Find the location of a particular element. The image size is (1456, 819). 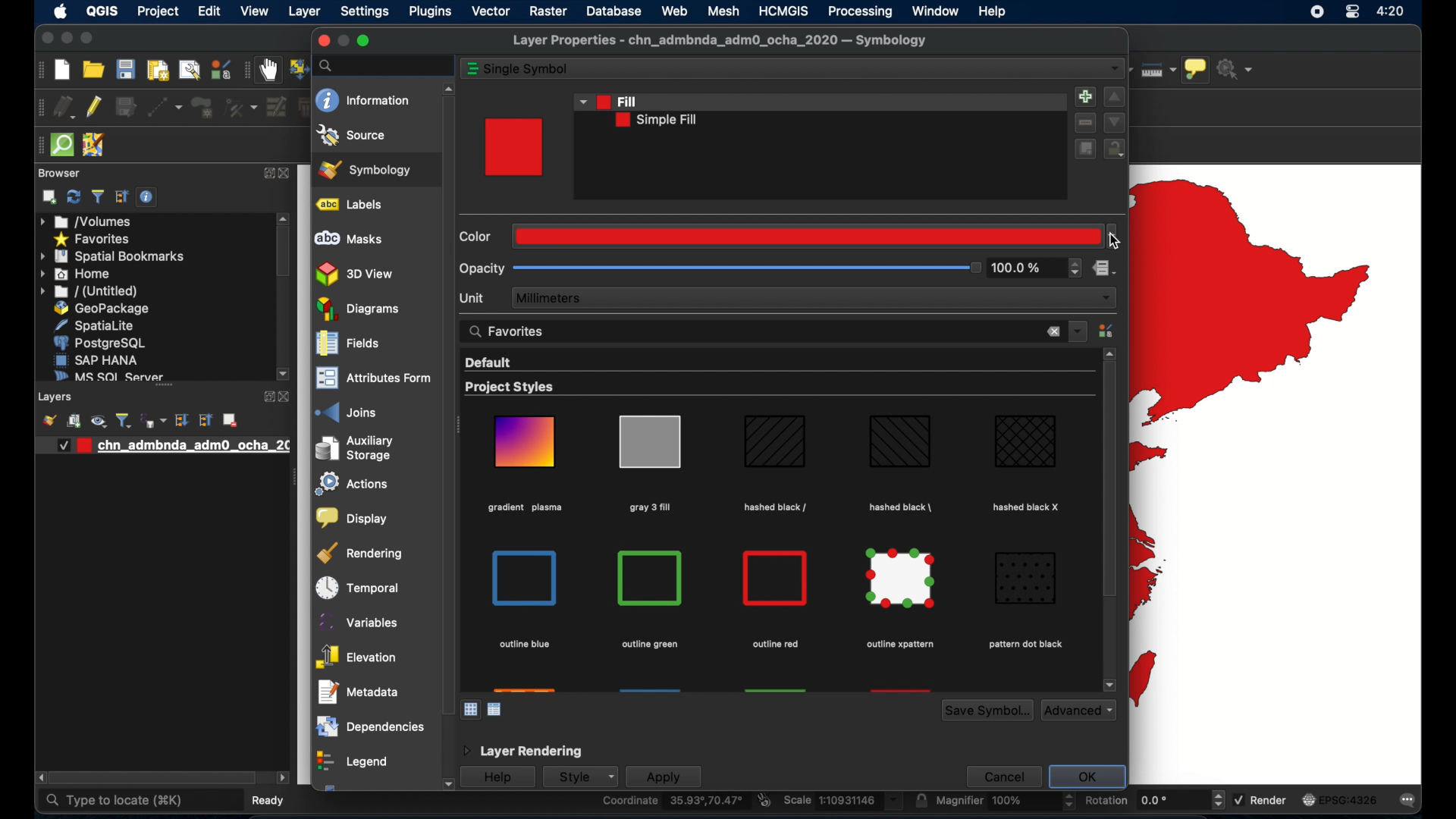

gradient plasma is located at coordinates (526, 510).